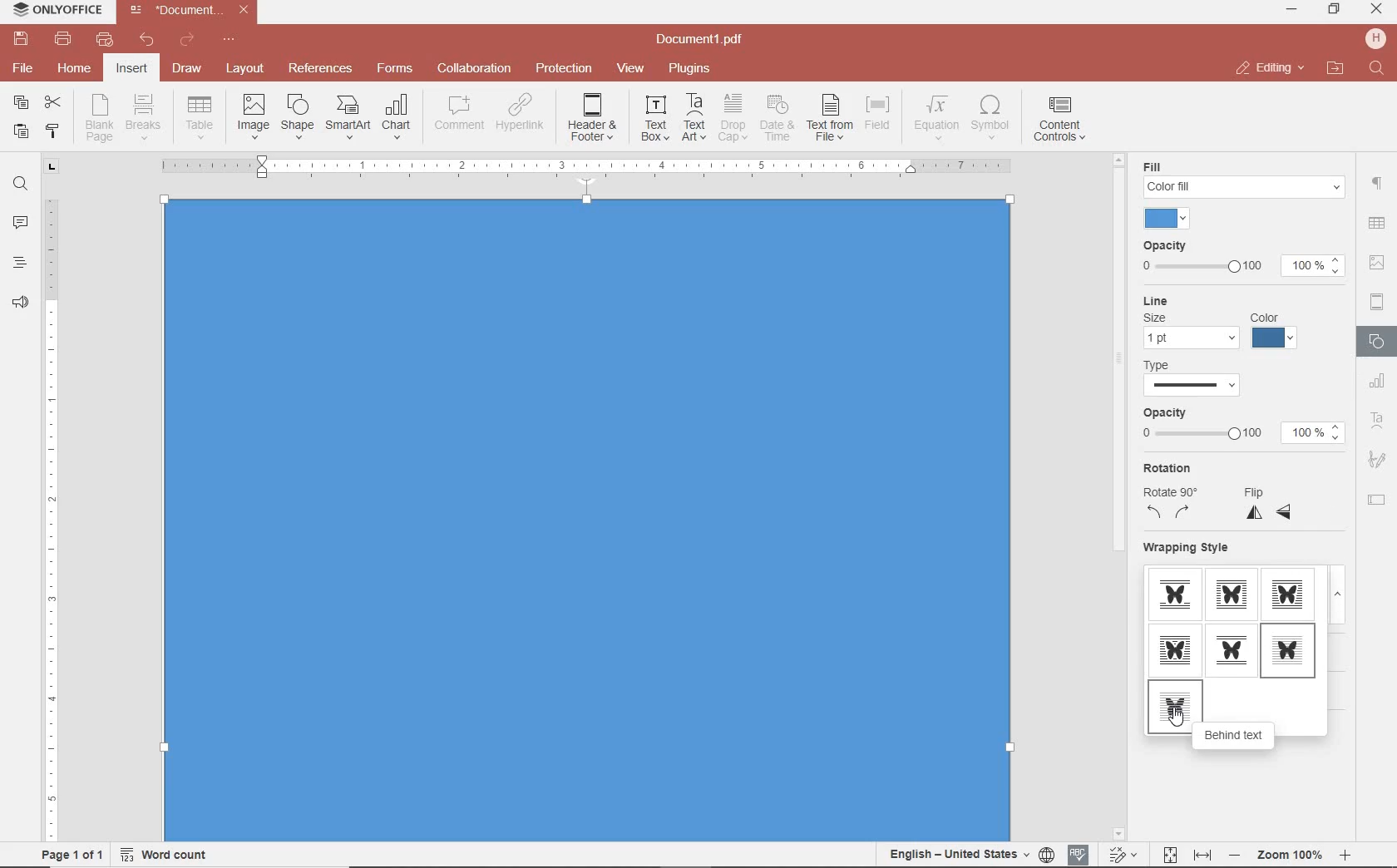 The height and width of the screenshot is (868, 1397). What do you see at coordinates (704, 40) in the screenshot?
I see `file name` at bounding box center [704, 40].